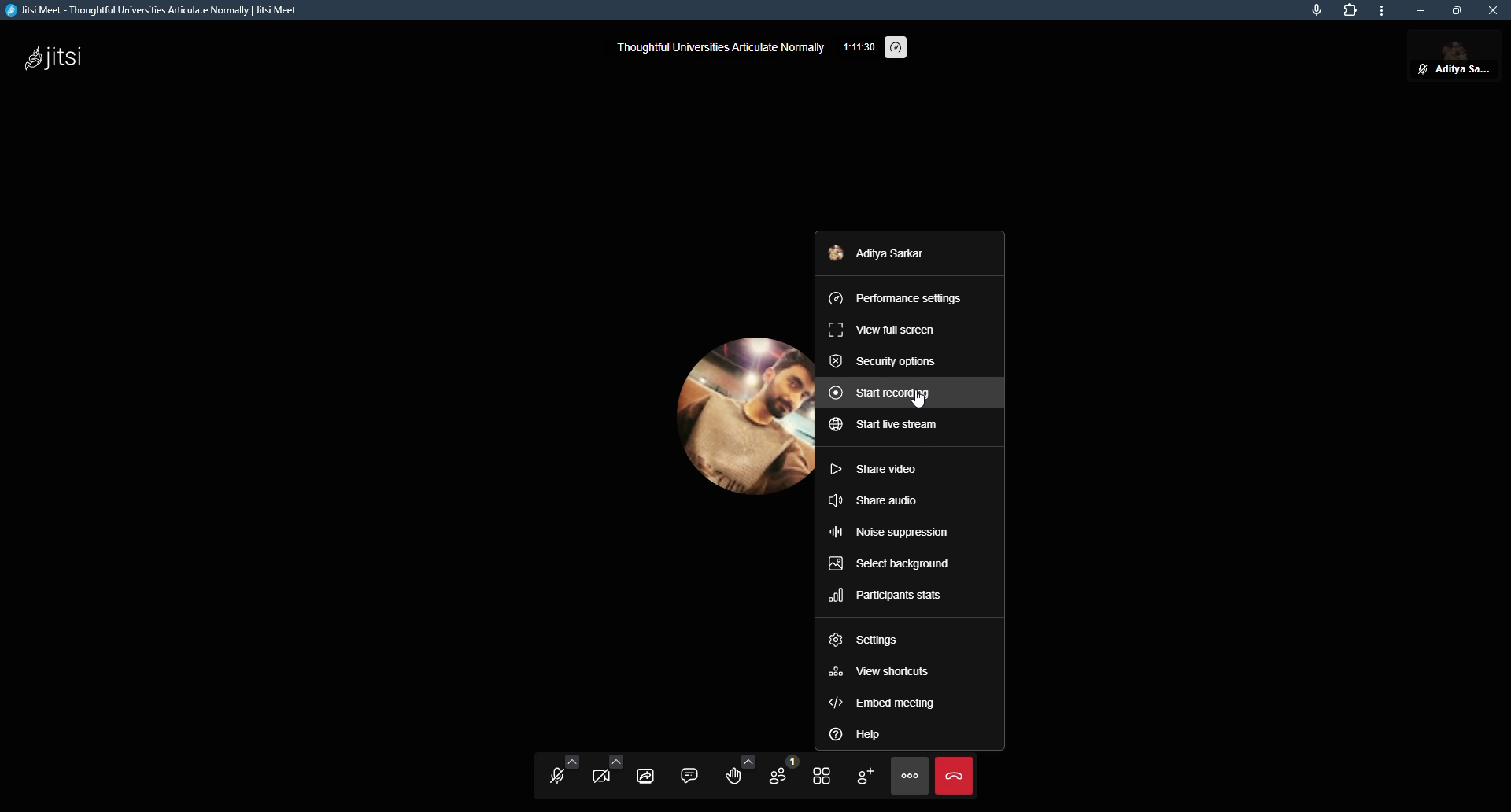 The width and height of the screenshot is (1511, 812). Describe the element at coordinates (58, 57) in the screenshot. I see `jitsi` at that location.